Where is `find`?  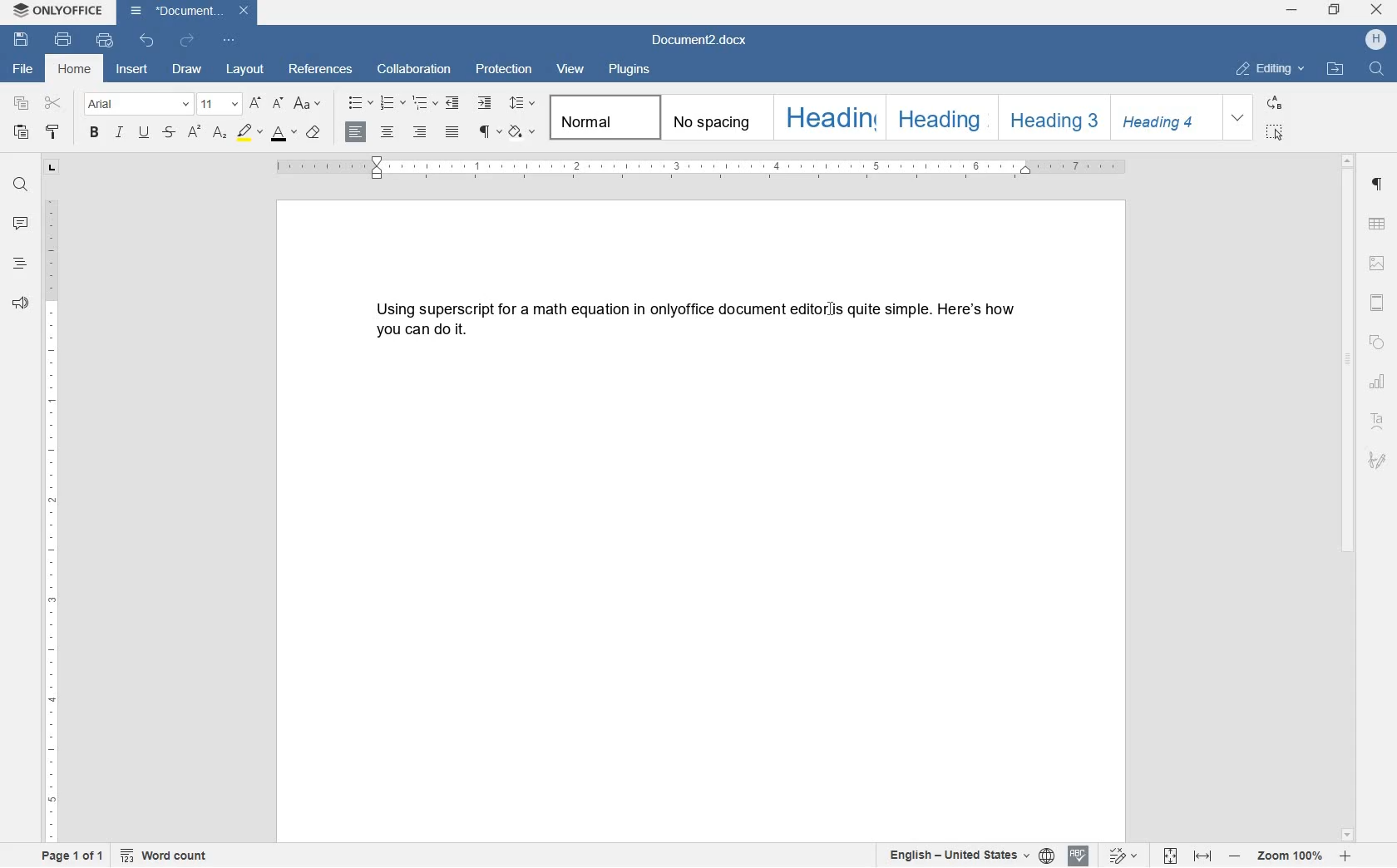 find is located at coordinates (20, 181).